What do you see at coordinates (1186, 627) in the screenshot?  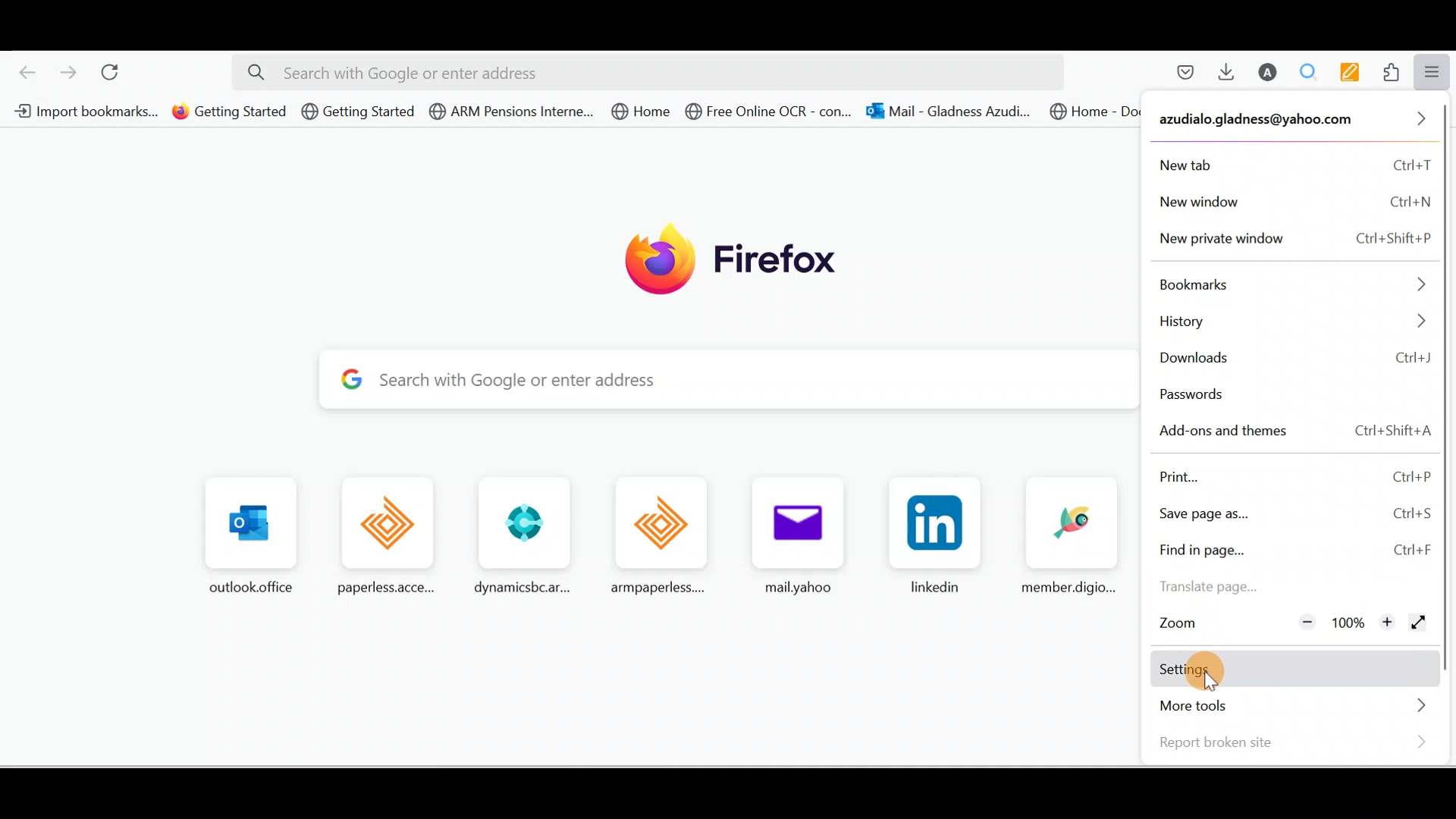 I see `Zoom` at bounding box center [1186, 627].